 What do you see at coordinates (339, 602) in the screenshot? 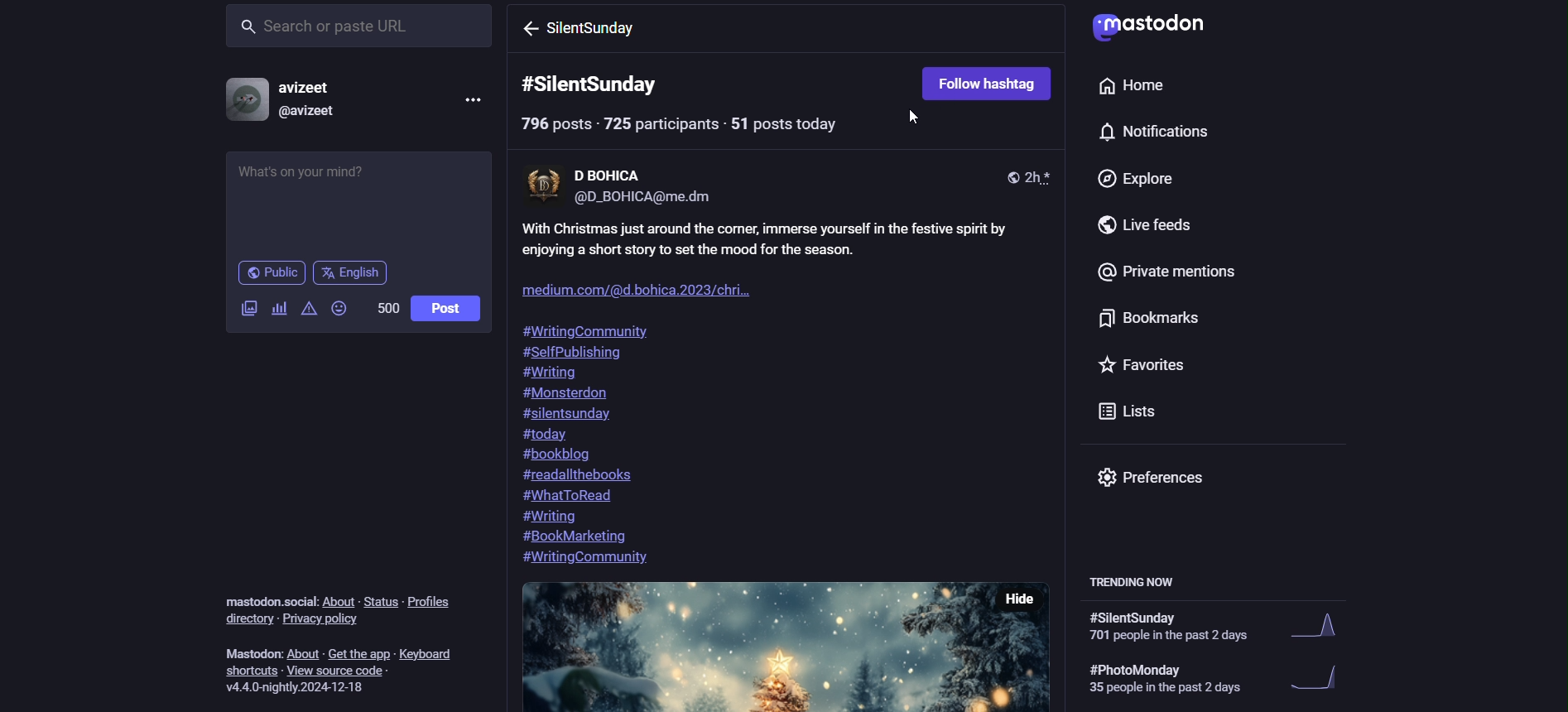
I see `about` at bounding box center [339, 602].